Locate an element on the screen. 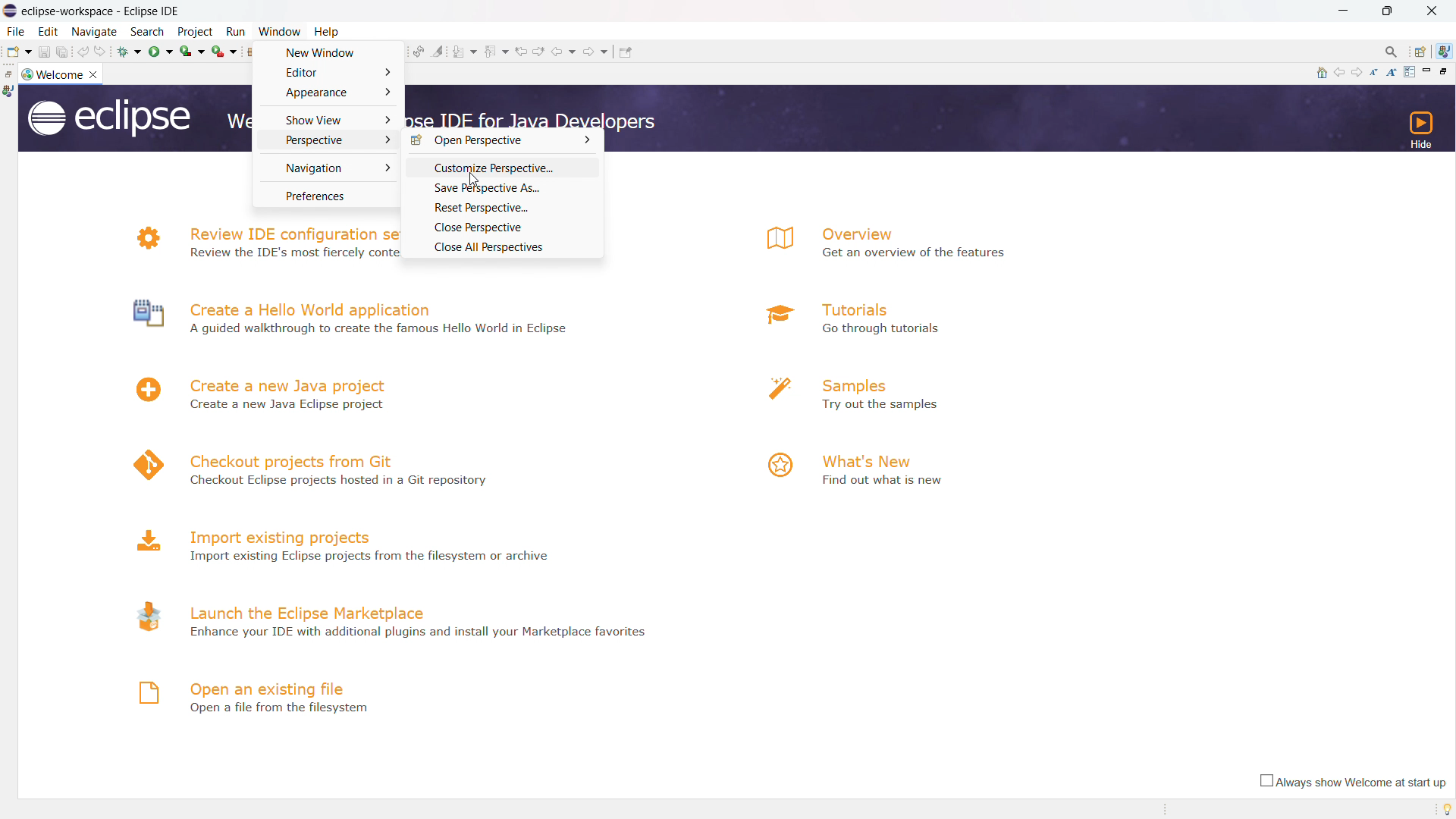 Image resolution: width=1456 pixels, height=819 pixels. editor is located at coordinates (326, 72).